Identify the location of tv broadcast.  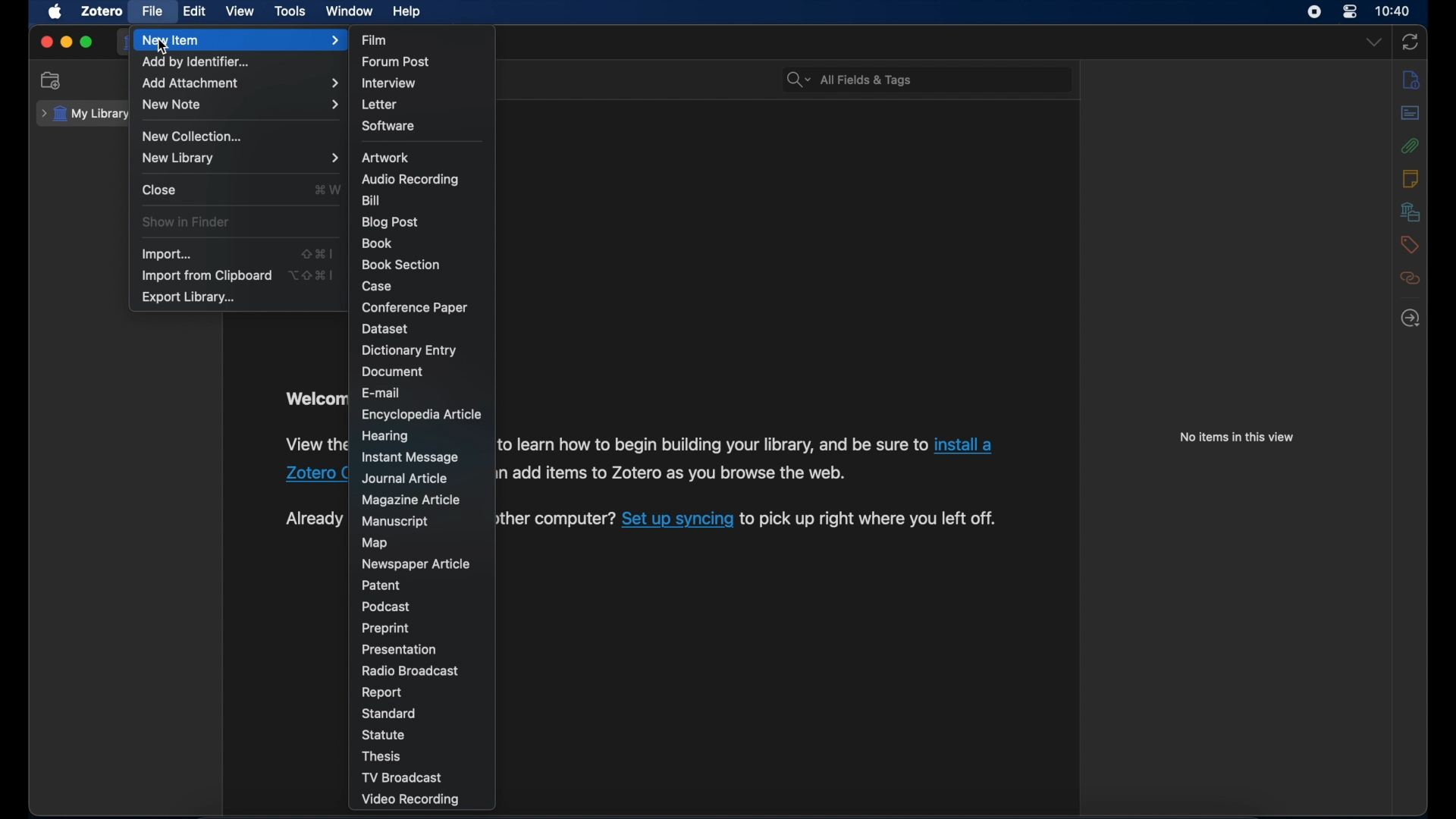
(401, 778).